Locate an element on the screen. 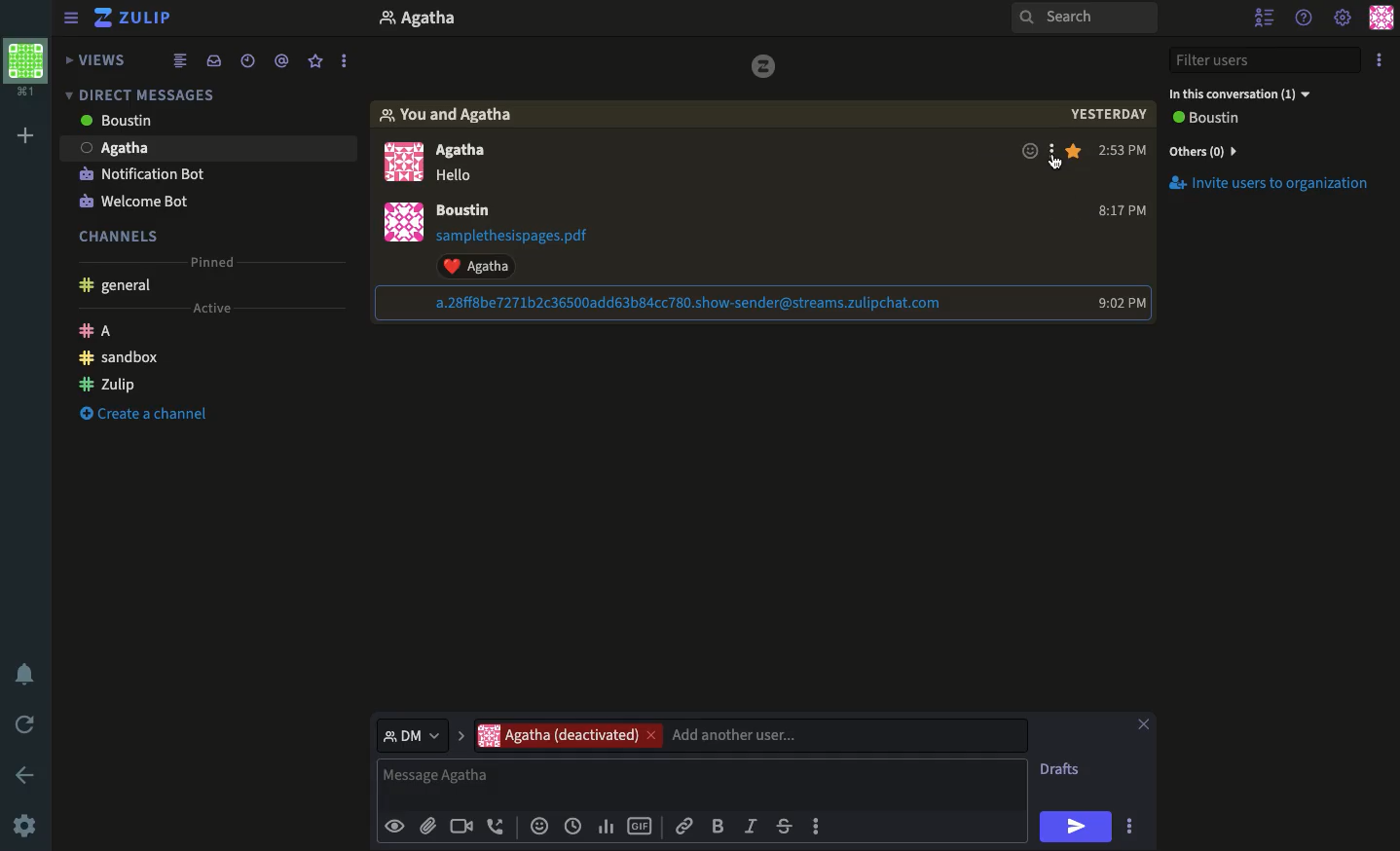  Inbox is located at coordinates (213, 59).